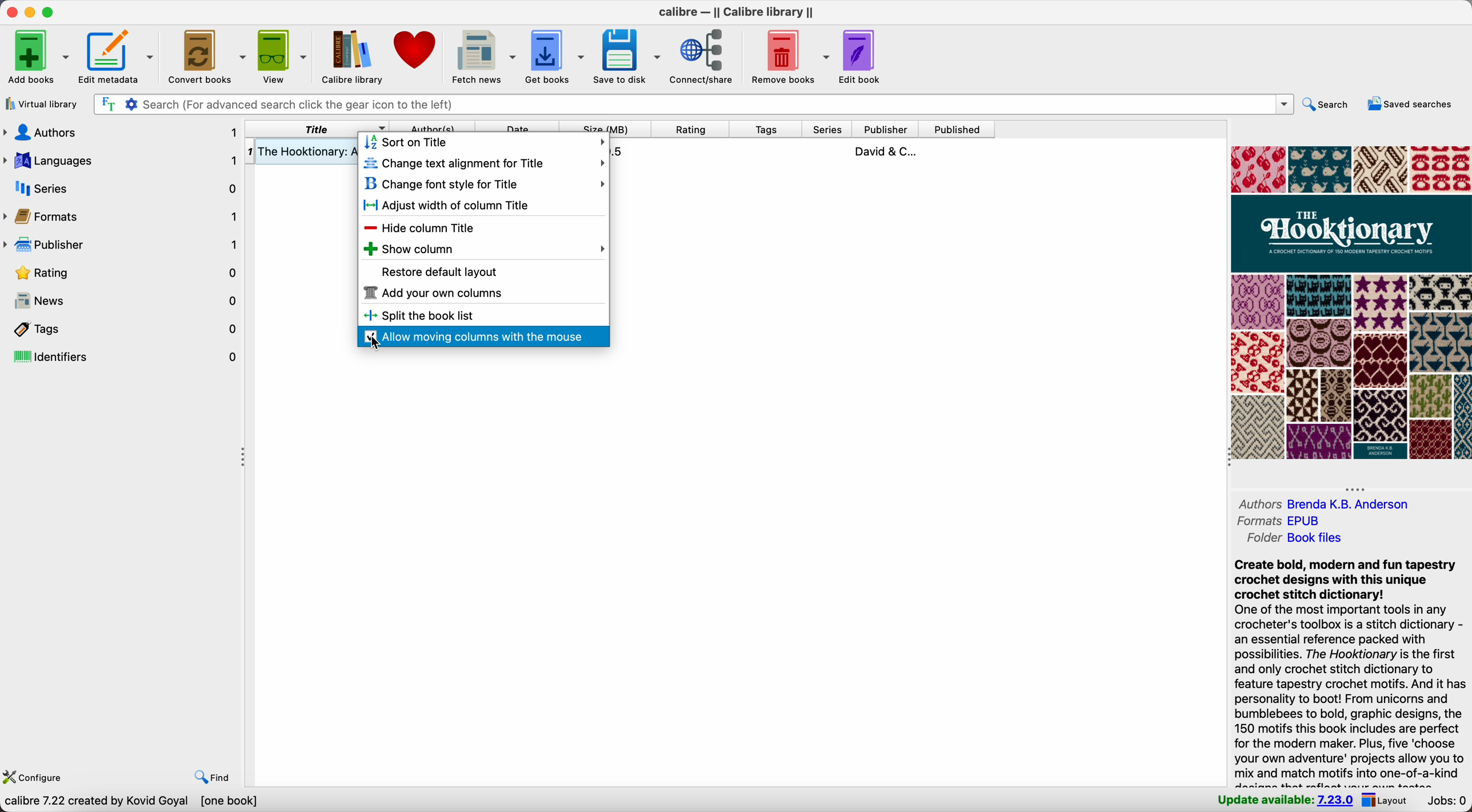 The height and width of the screenshot is (812, 1472). Describe the element at coordinates (410, 249) in the screenshot. I see `show column` at that location.